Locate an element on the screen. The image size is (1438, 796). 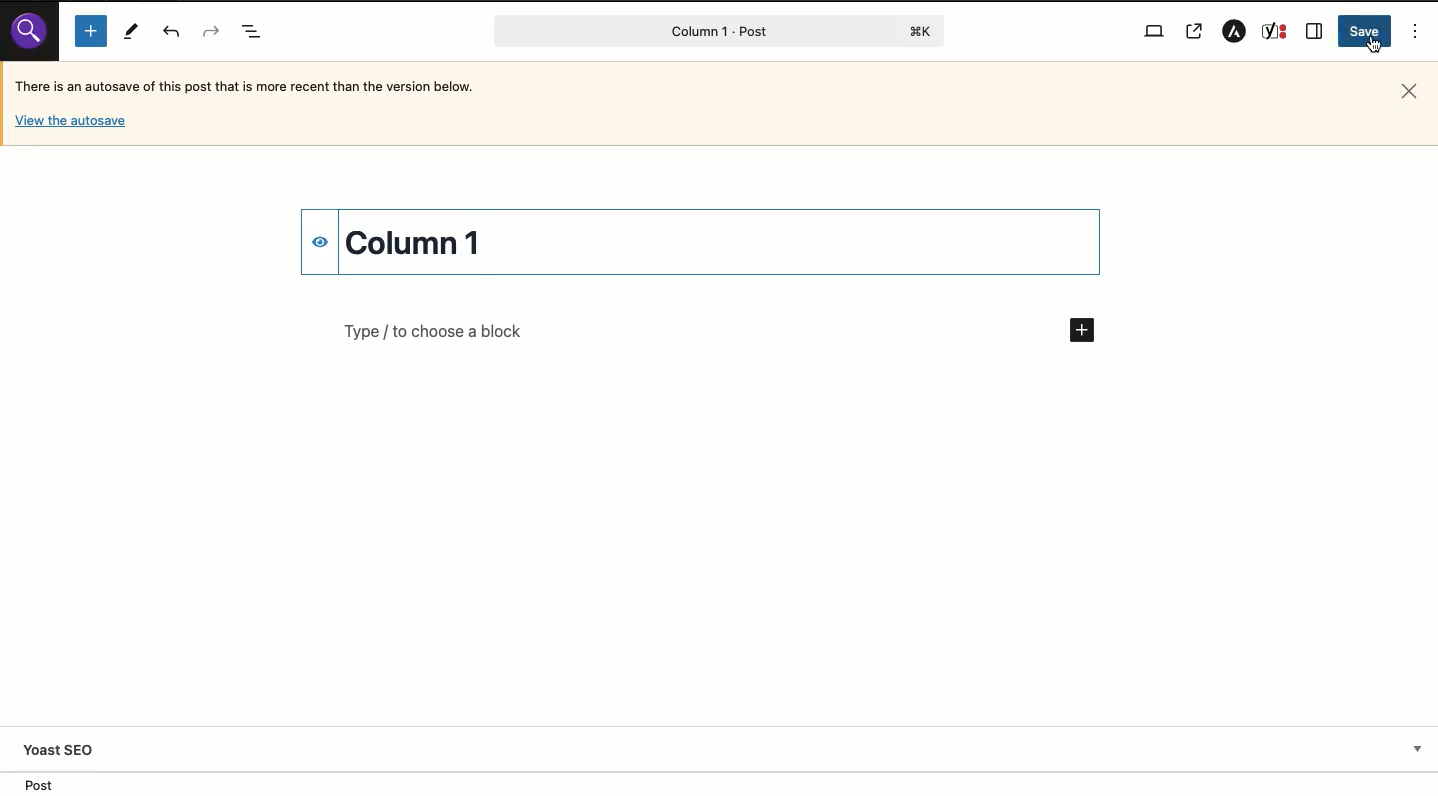
 Change is located at coordinates (419, 240).